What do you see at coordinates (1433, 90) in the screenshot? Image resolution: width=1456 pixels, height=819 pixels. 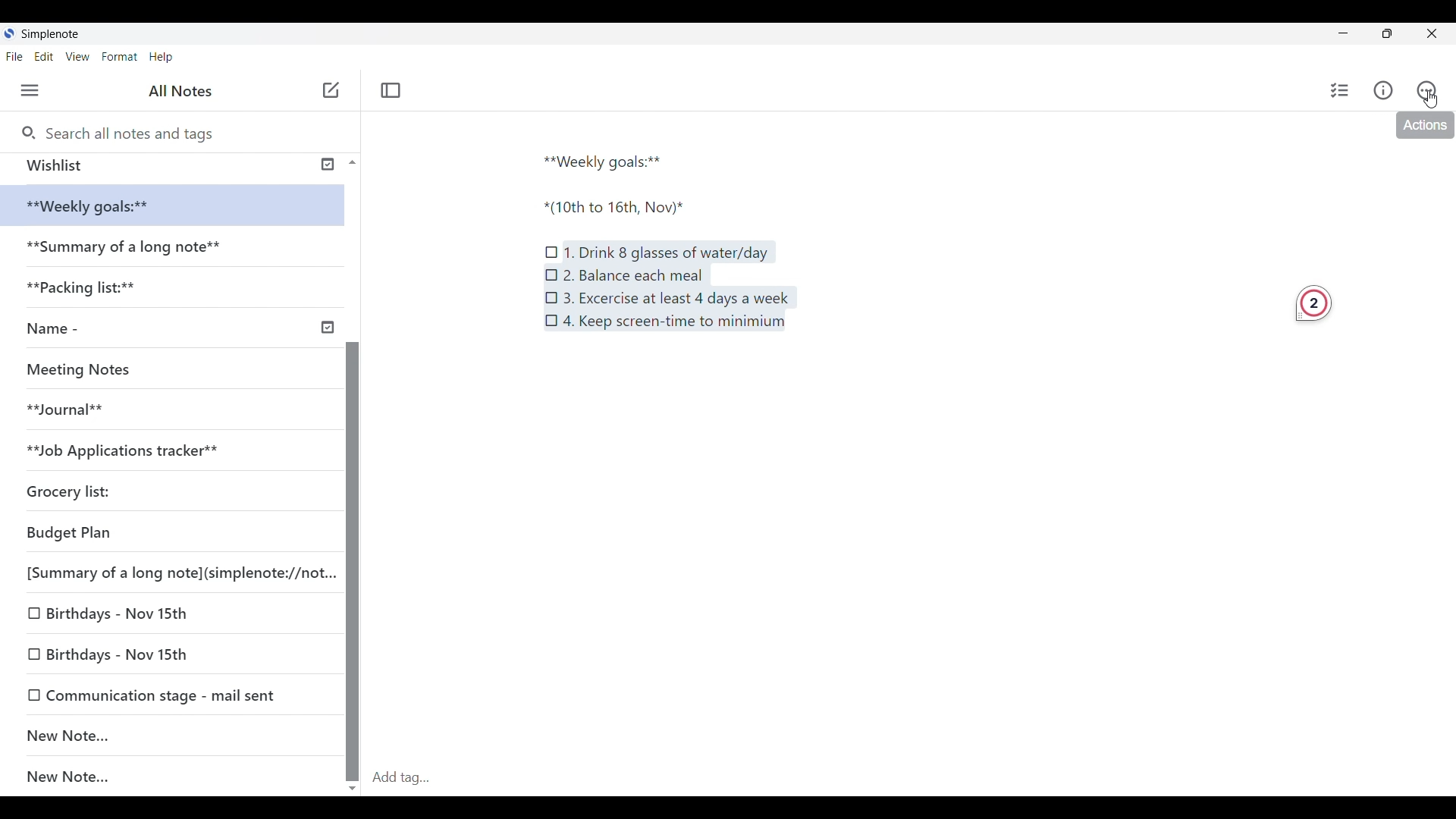 I see `Actions` at bounding box center [1433, 90].